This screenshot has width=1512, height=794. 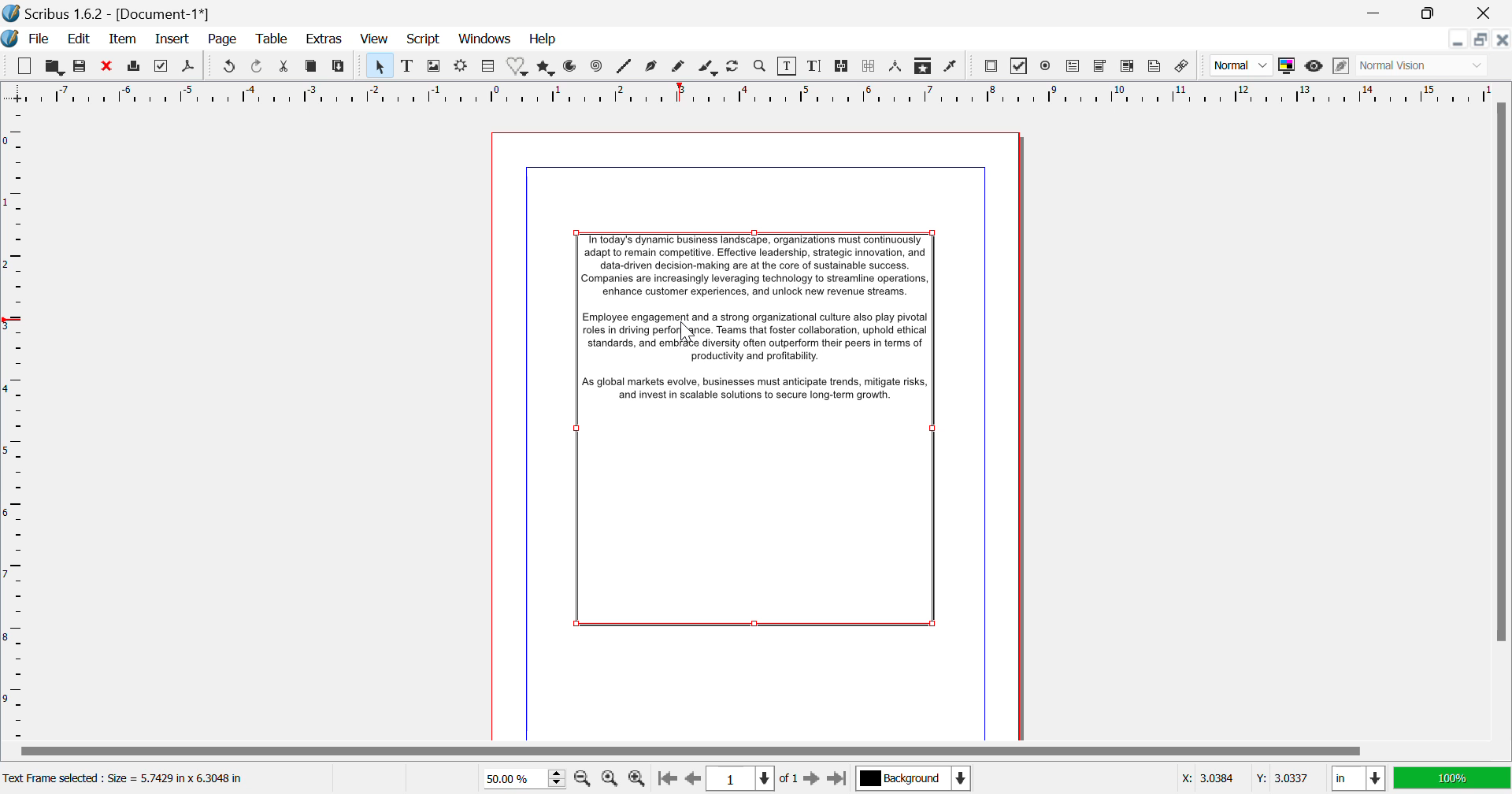 What do you see at coordinates (953, 68) in the screenshot?
I see `Eyedropper` at bounding box center [953, 68].